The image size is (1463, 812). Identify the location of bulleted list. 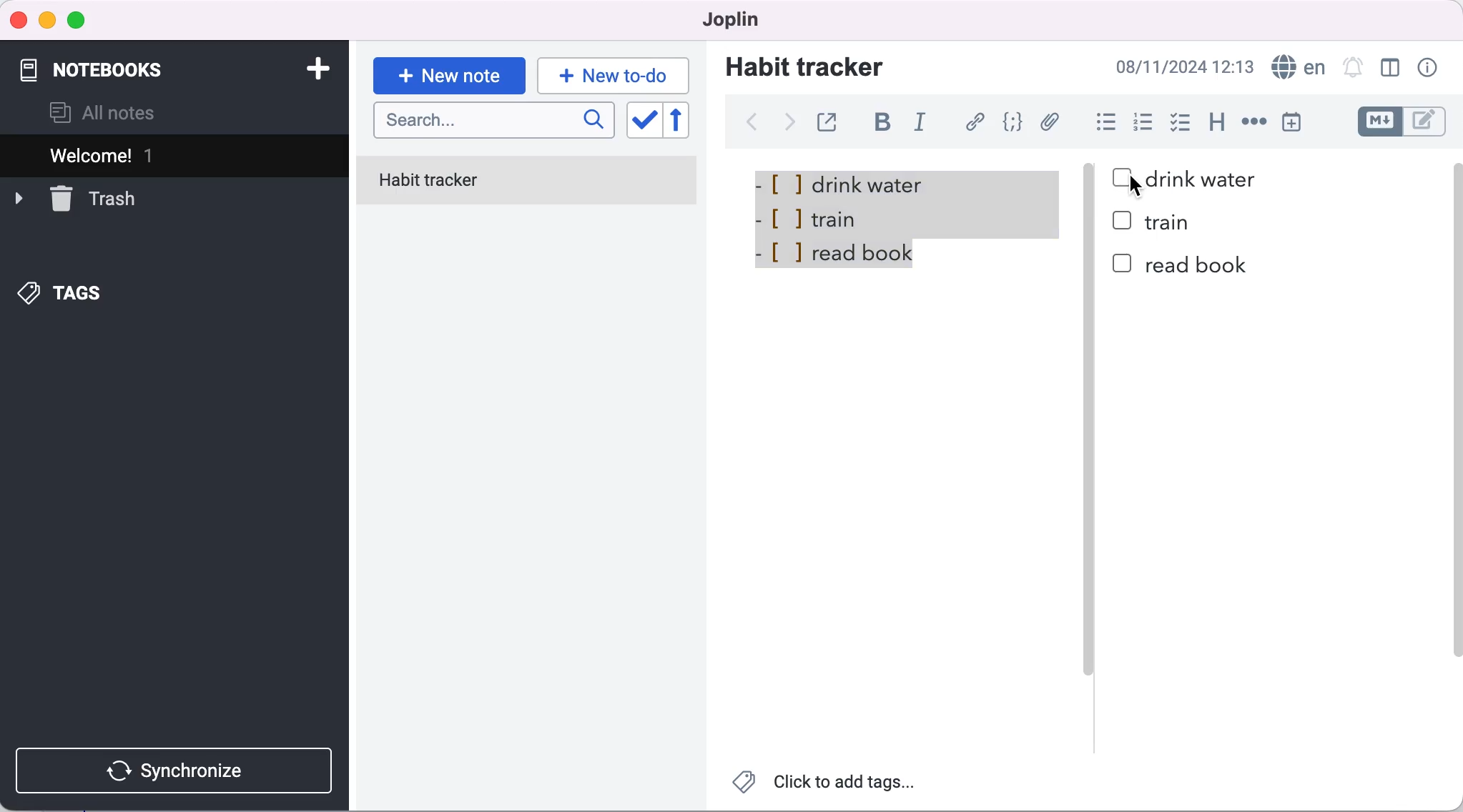
(1103, 124).